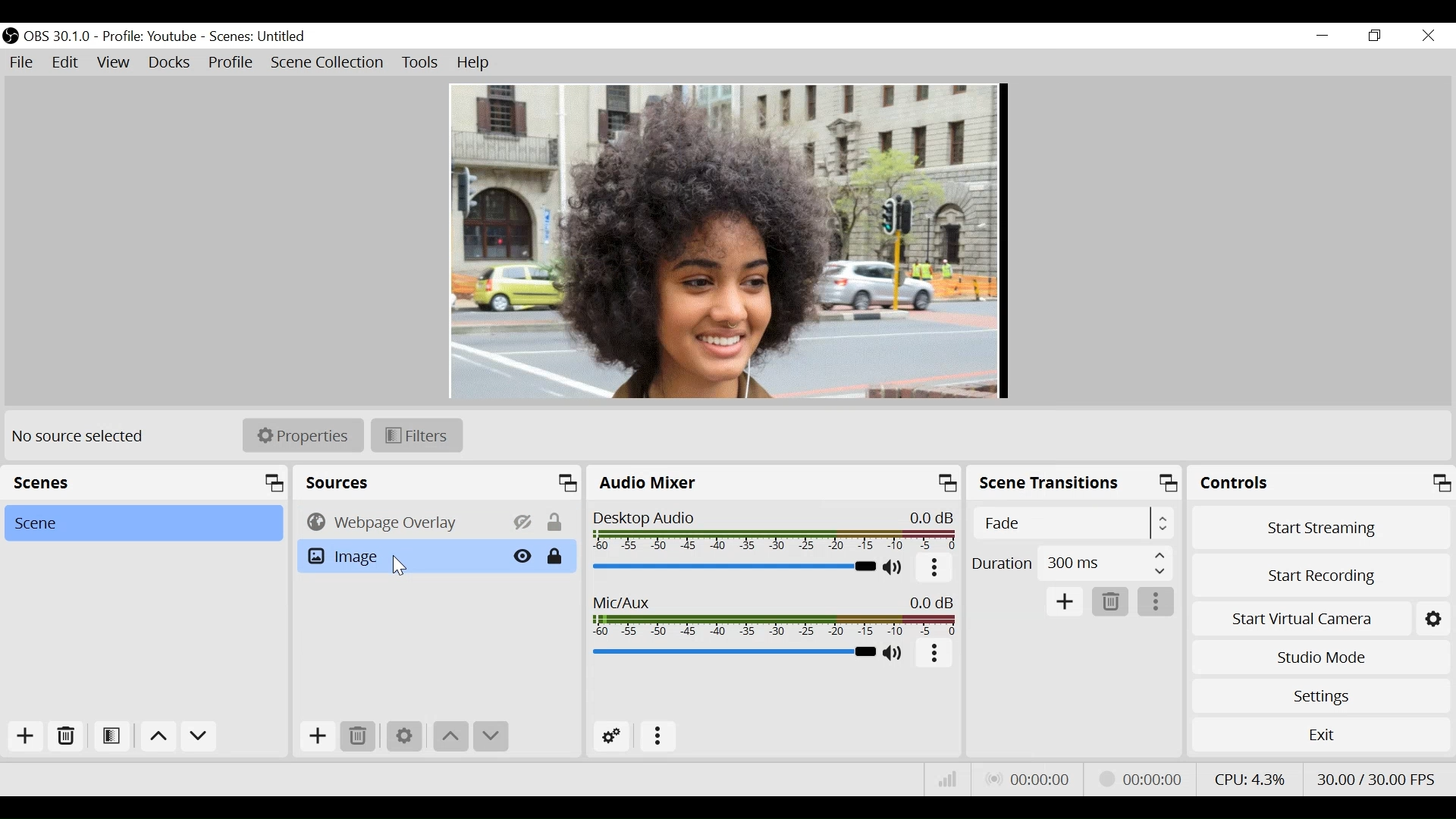 The width and height of the screenshot is (1456, 819). I want to click on Properties, so click(303, 435).